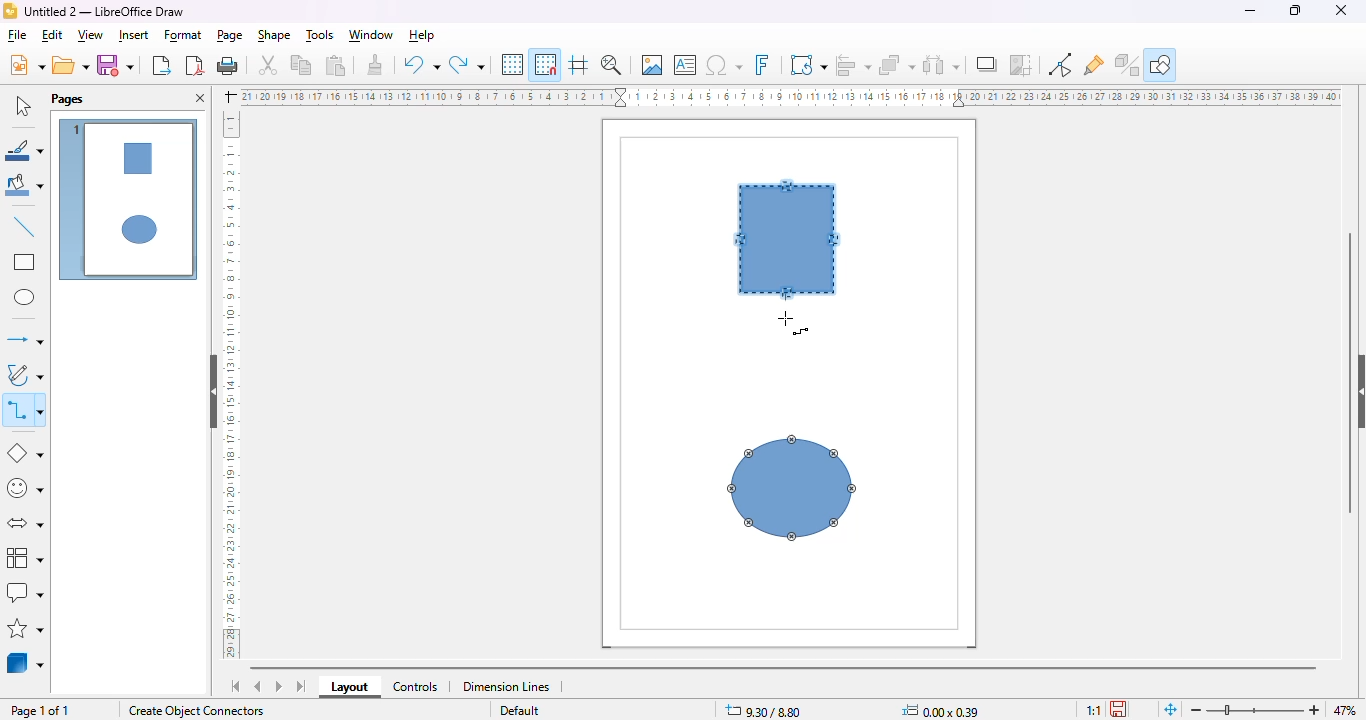  Describe the element at coordinates (199, 99) in the screenshot. I see `close pane` at that location.